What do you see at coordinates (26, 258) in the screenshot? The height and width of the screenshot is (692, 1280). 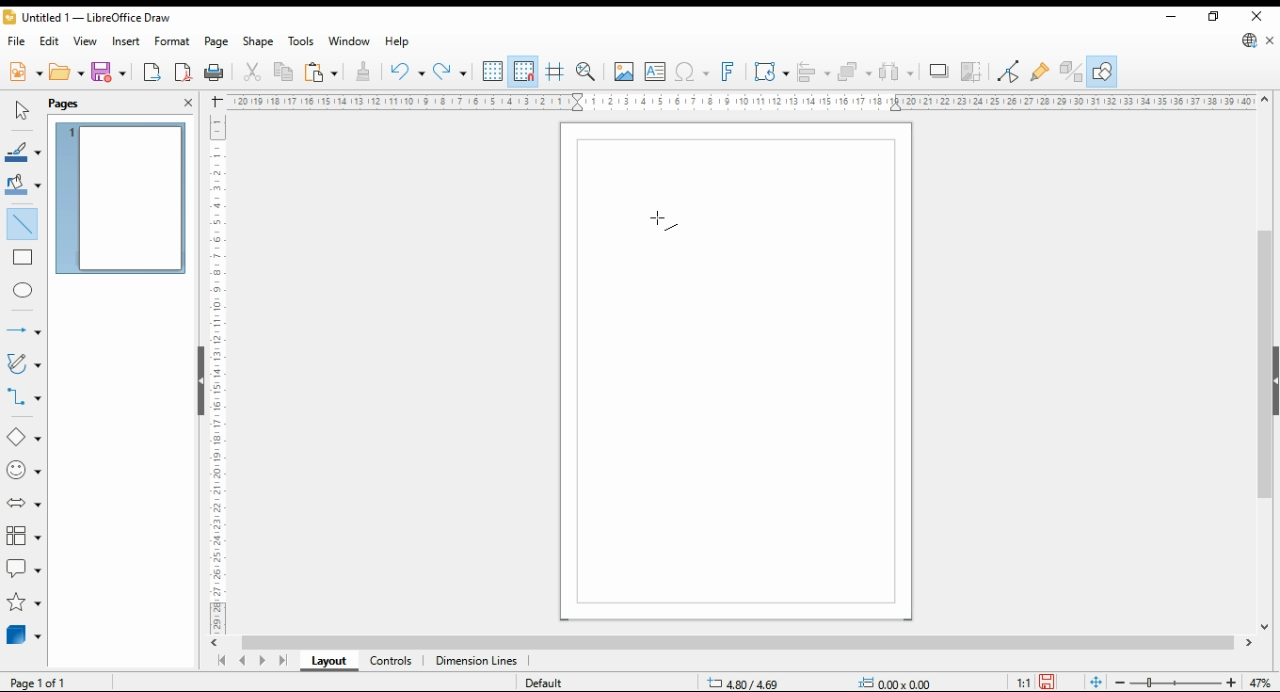 I see `insert line message` at bounding box center [26, 258].